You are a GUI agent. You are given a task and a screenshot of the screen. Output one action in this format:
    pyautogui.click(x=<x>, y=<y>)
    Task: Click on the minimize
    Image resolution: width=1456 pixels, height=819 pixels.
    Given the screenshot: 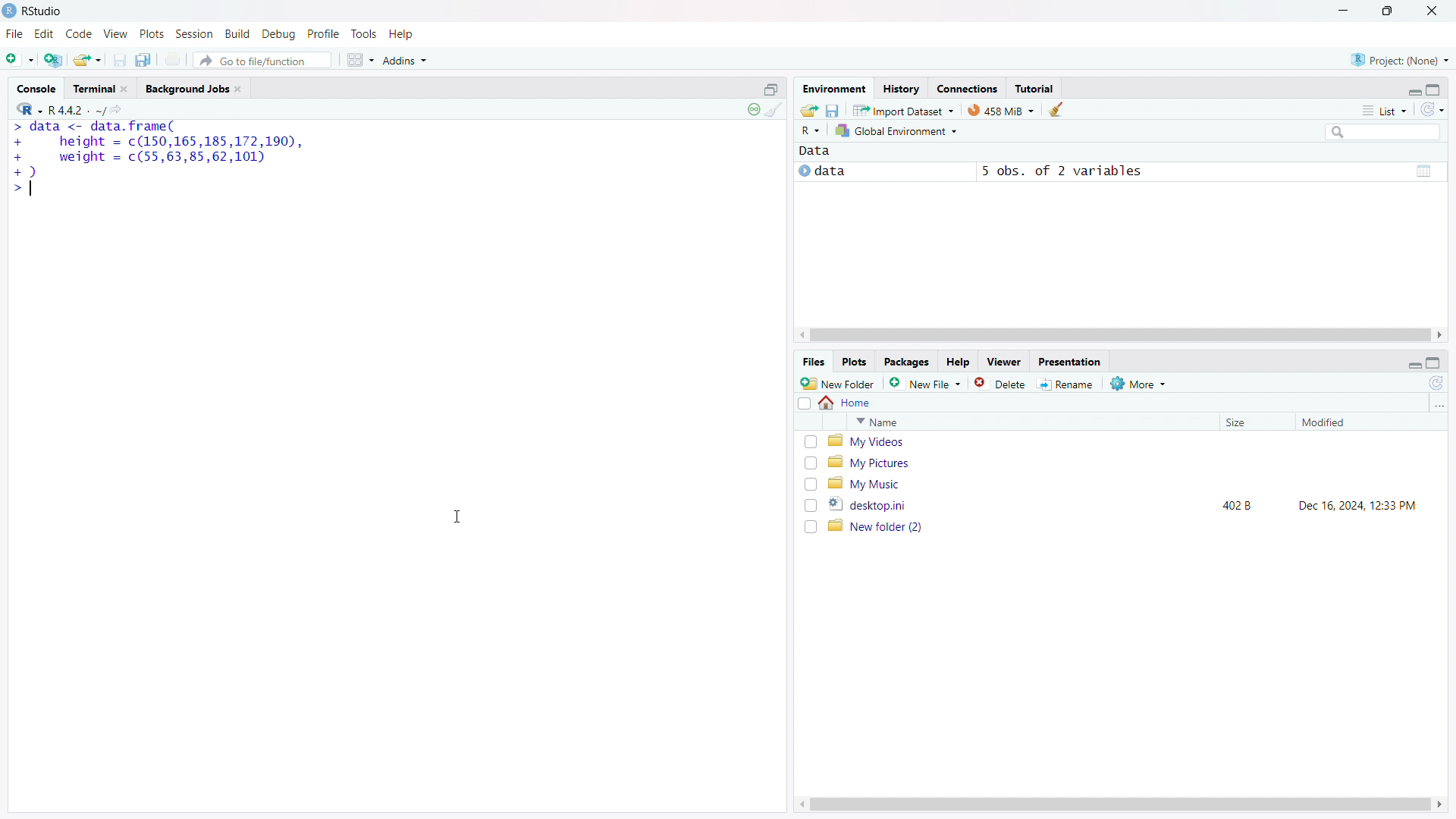 What is the action you would take?
    pyautogui.click(x=1341, y=11)
    